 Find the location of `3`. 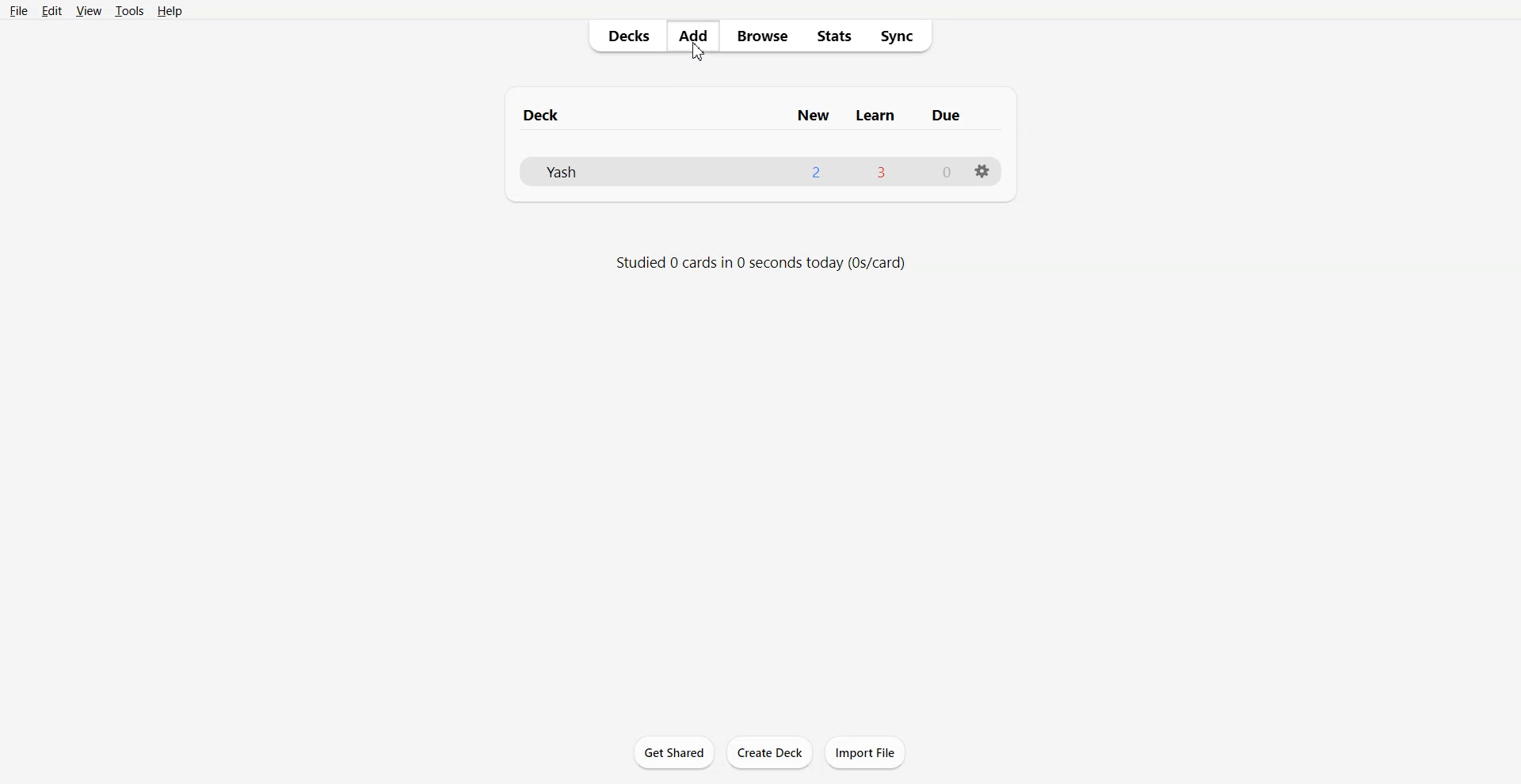

3 is located at coordinates (882, 173).